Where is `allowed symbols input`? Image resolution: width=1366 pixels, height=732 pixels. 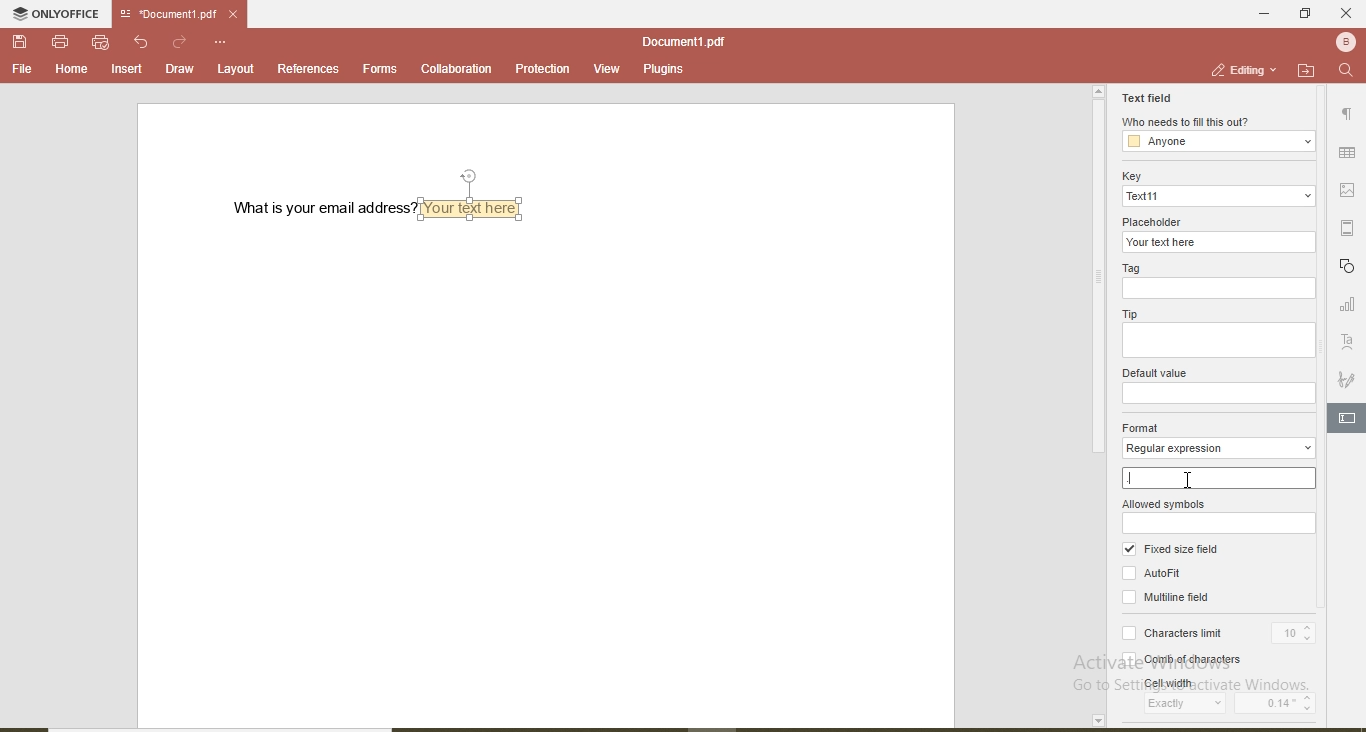
allowed symbols input is located at coordinates (1219, 522).